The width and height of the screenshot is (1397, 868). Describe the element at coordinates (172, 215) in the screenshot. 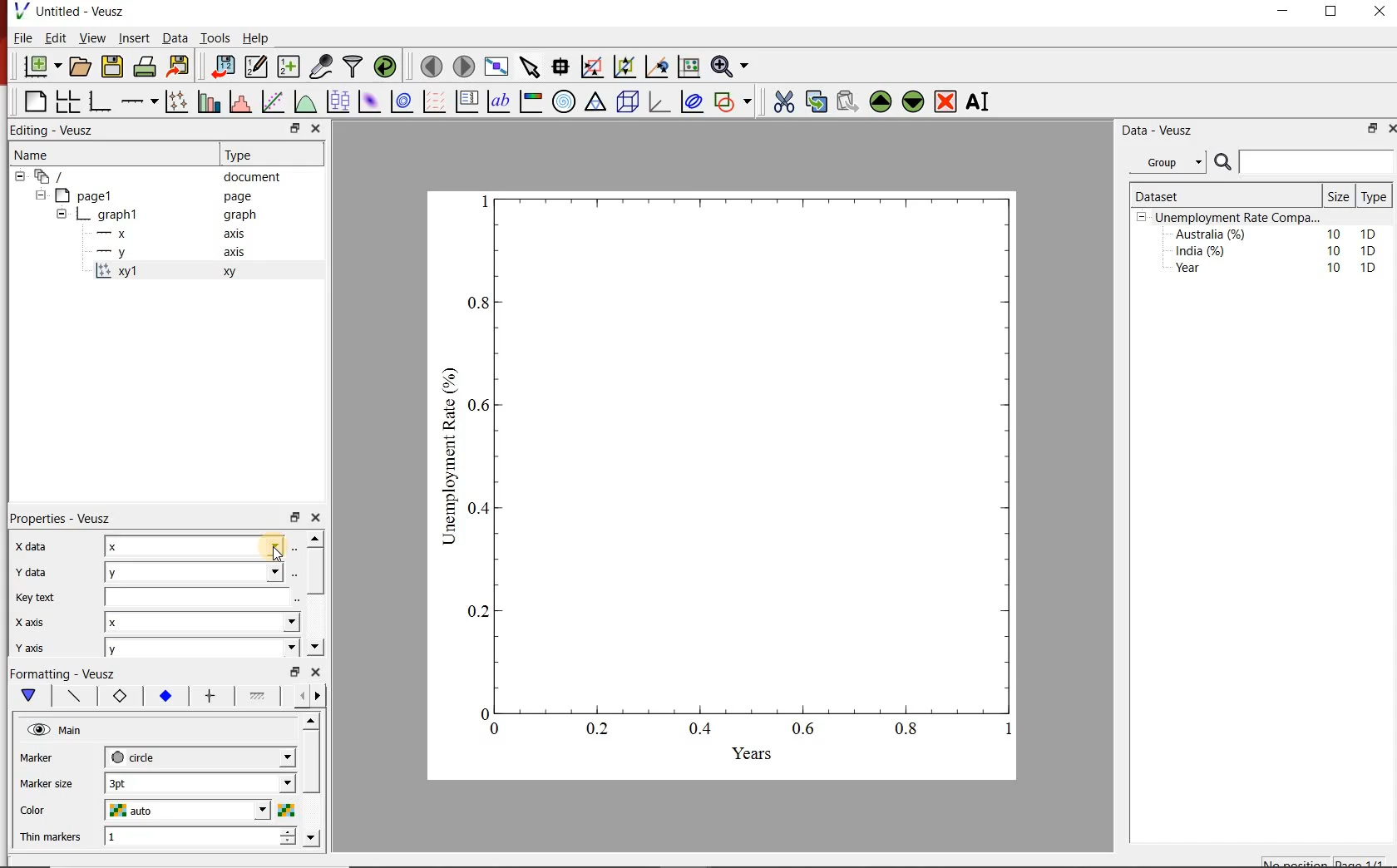

I see `graph1
pl graph` at that location.